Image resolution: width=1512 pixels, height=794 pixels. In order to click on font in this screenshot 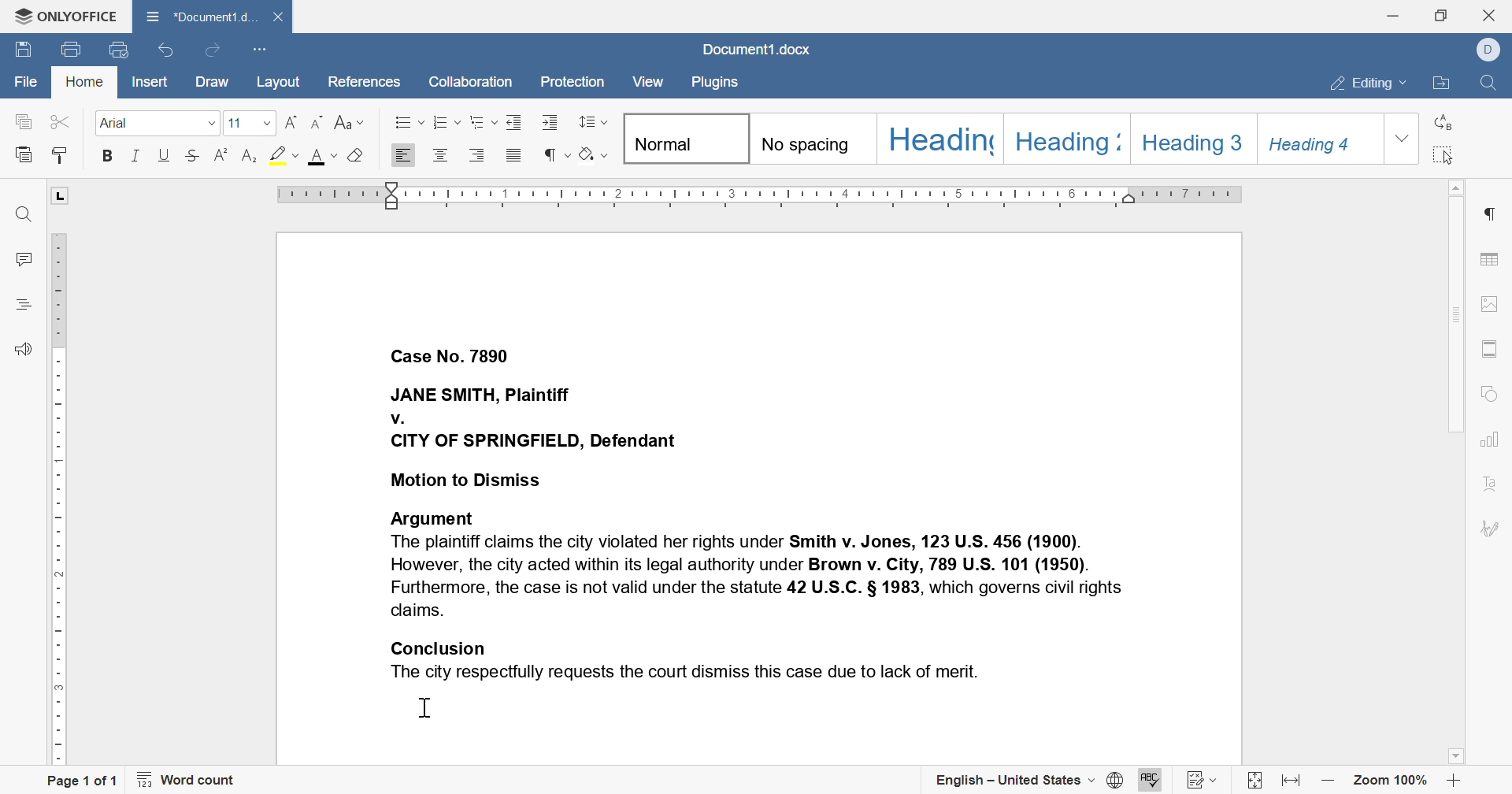, I will do `click(321, 158)`.